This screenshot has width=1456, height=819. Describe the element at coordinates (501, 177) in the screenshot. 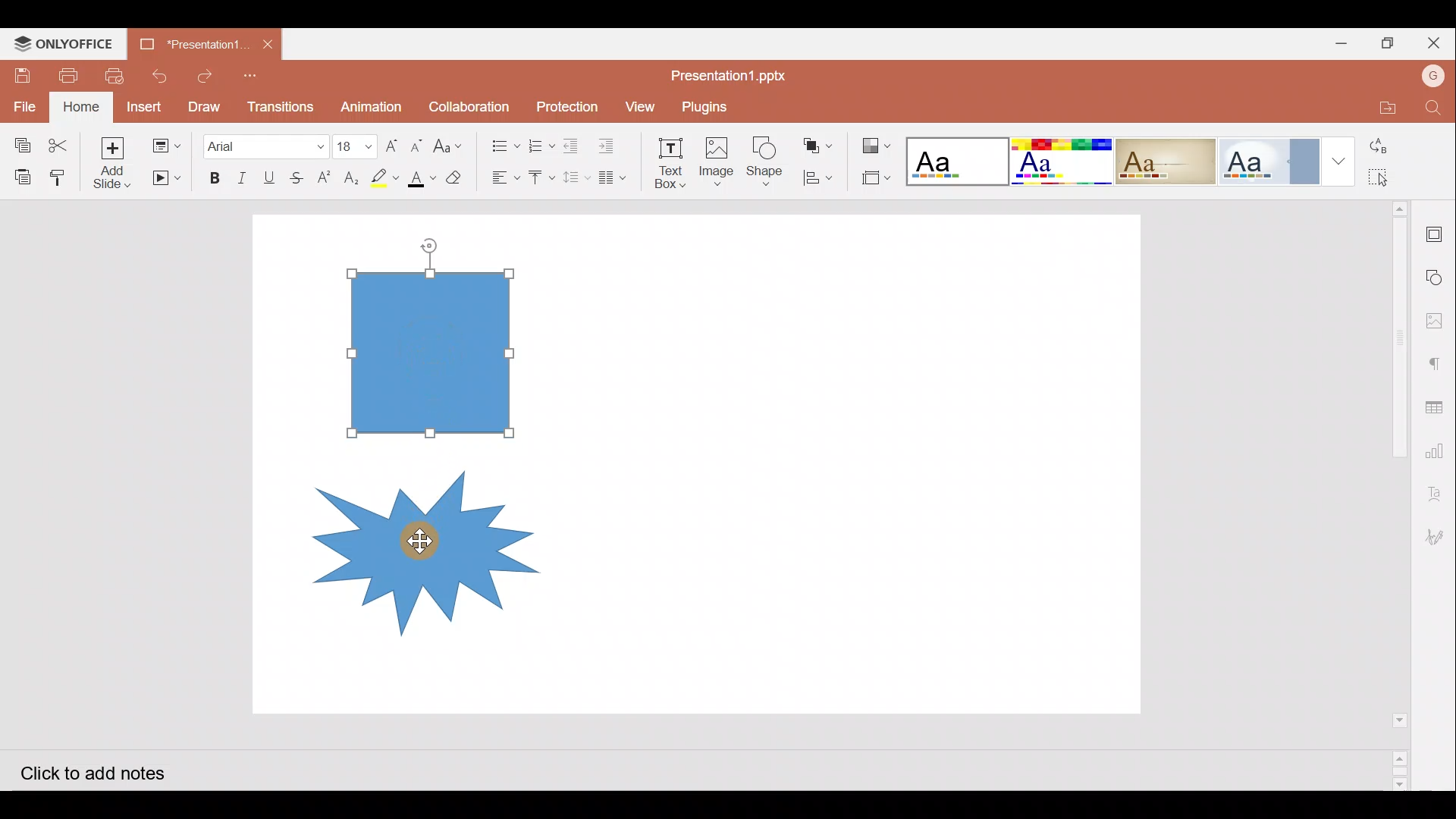

I see `Horizontal align` at that location.